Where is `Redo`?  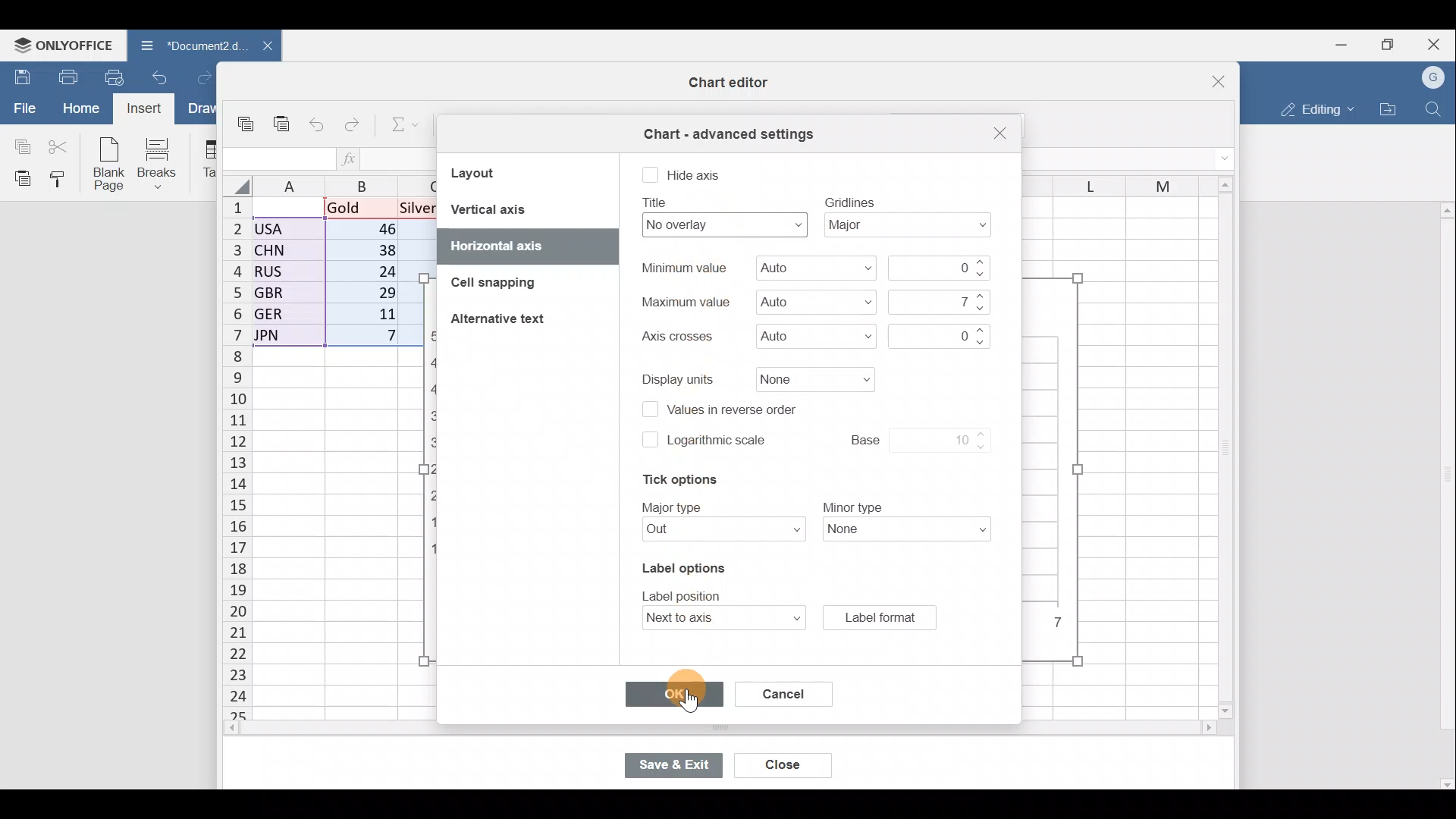
Redo is located at coordinates (355, 121).